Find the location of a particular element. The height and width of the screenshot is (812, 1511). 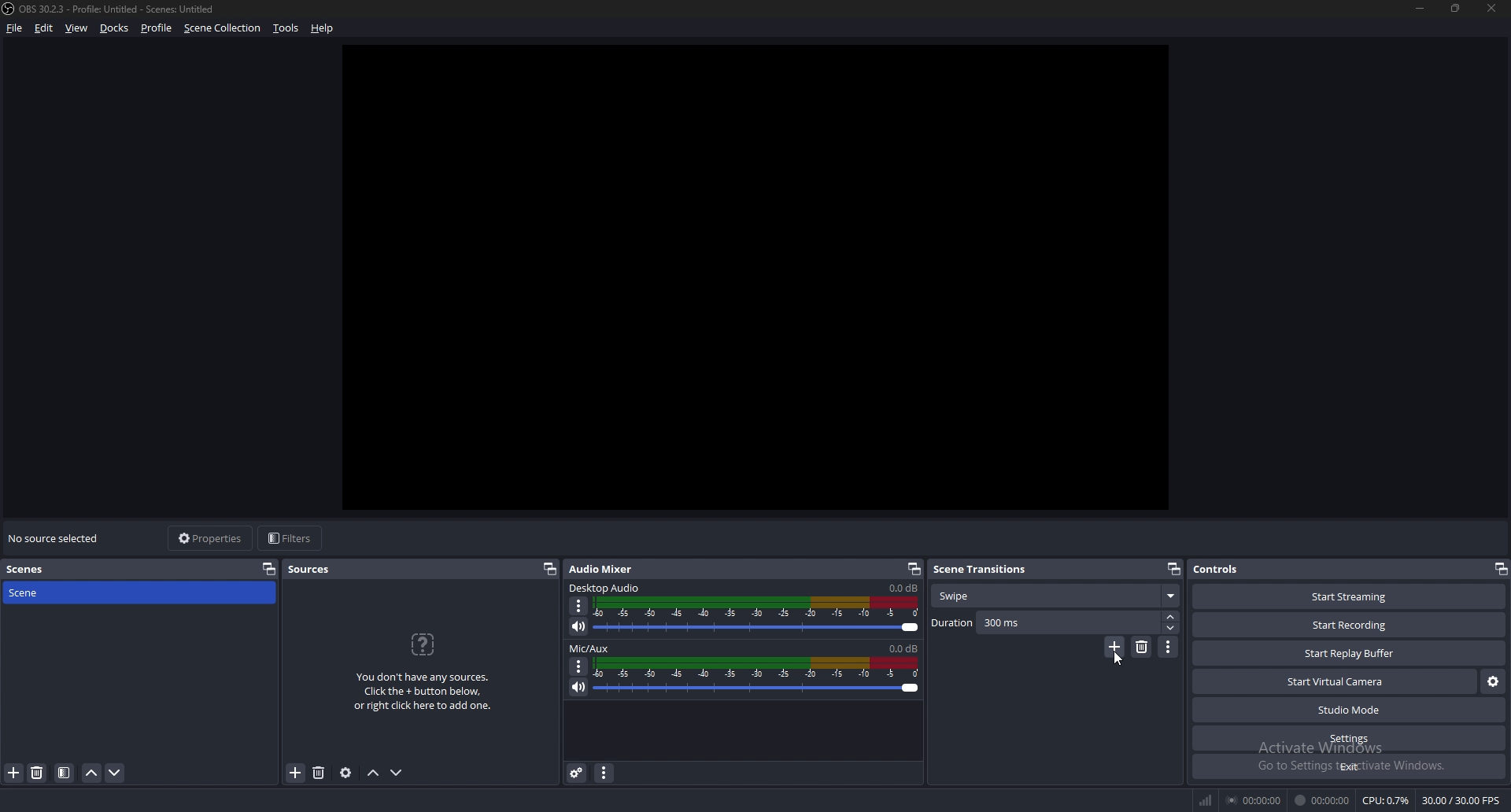

remove source is located at coordinates (319, 773).